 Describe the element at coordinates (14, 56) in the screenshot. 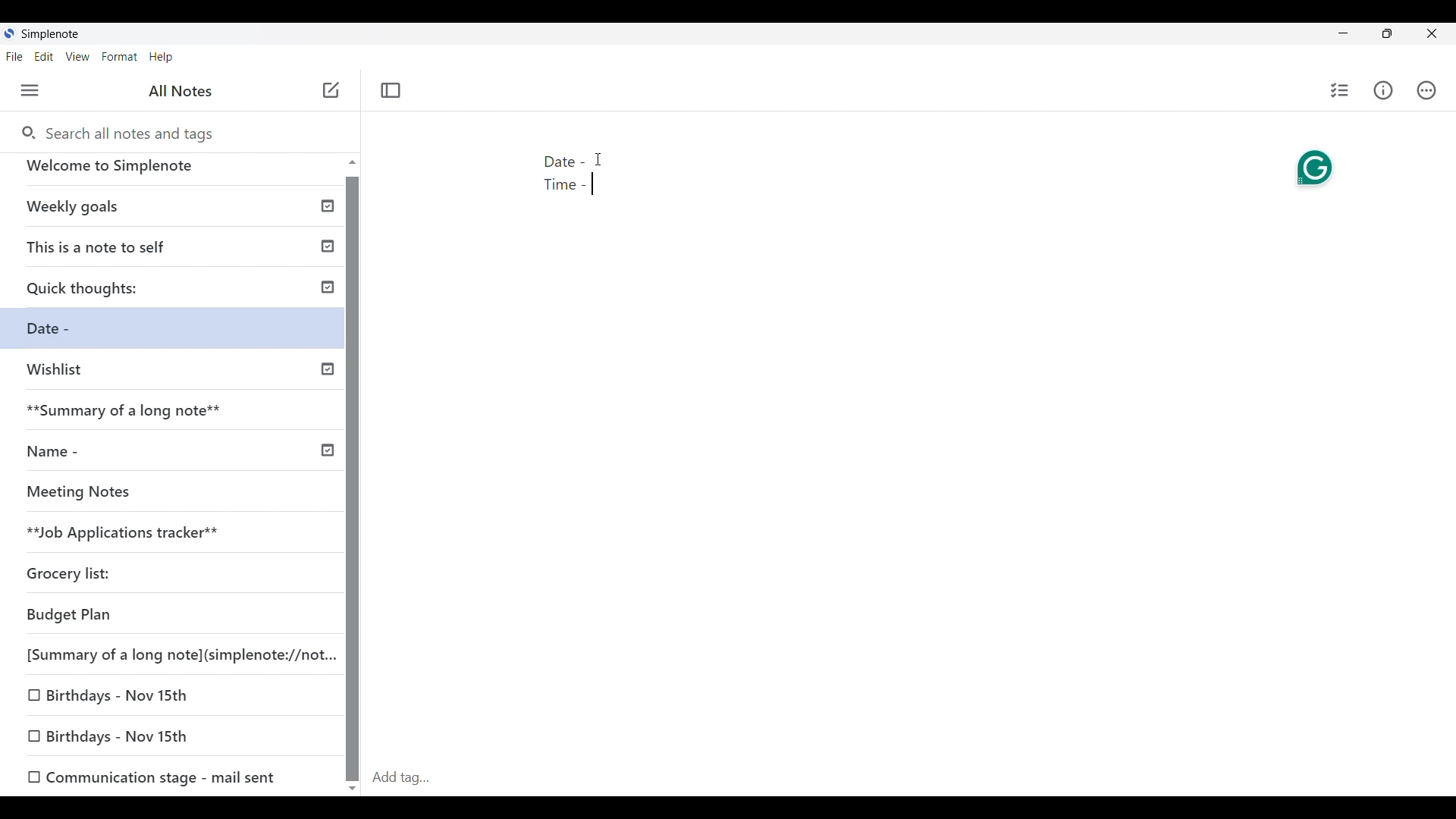

I see `File menu` at that location.